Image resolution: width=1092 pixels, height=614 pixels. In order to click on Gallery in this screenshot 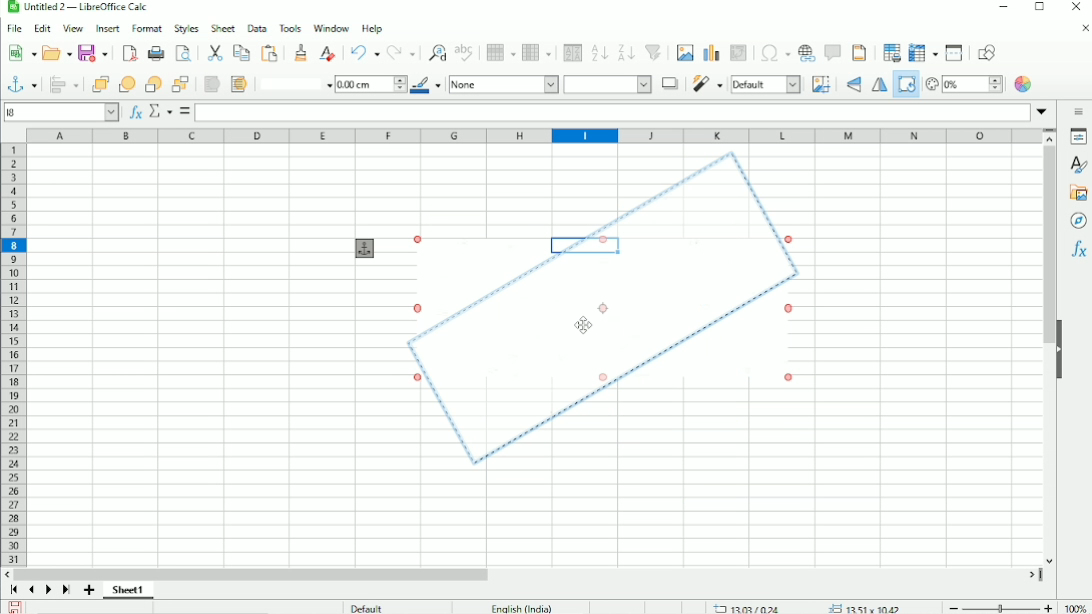, I will do `click(1077, 193)`.